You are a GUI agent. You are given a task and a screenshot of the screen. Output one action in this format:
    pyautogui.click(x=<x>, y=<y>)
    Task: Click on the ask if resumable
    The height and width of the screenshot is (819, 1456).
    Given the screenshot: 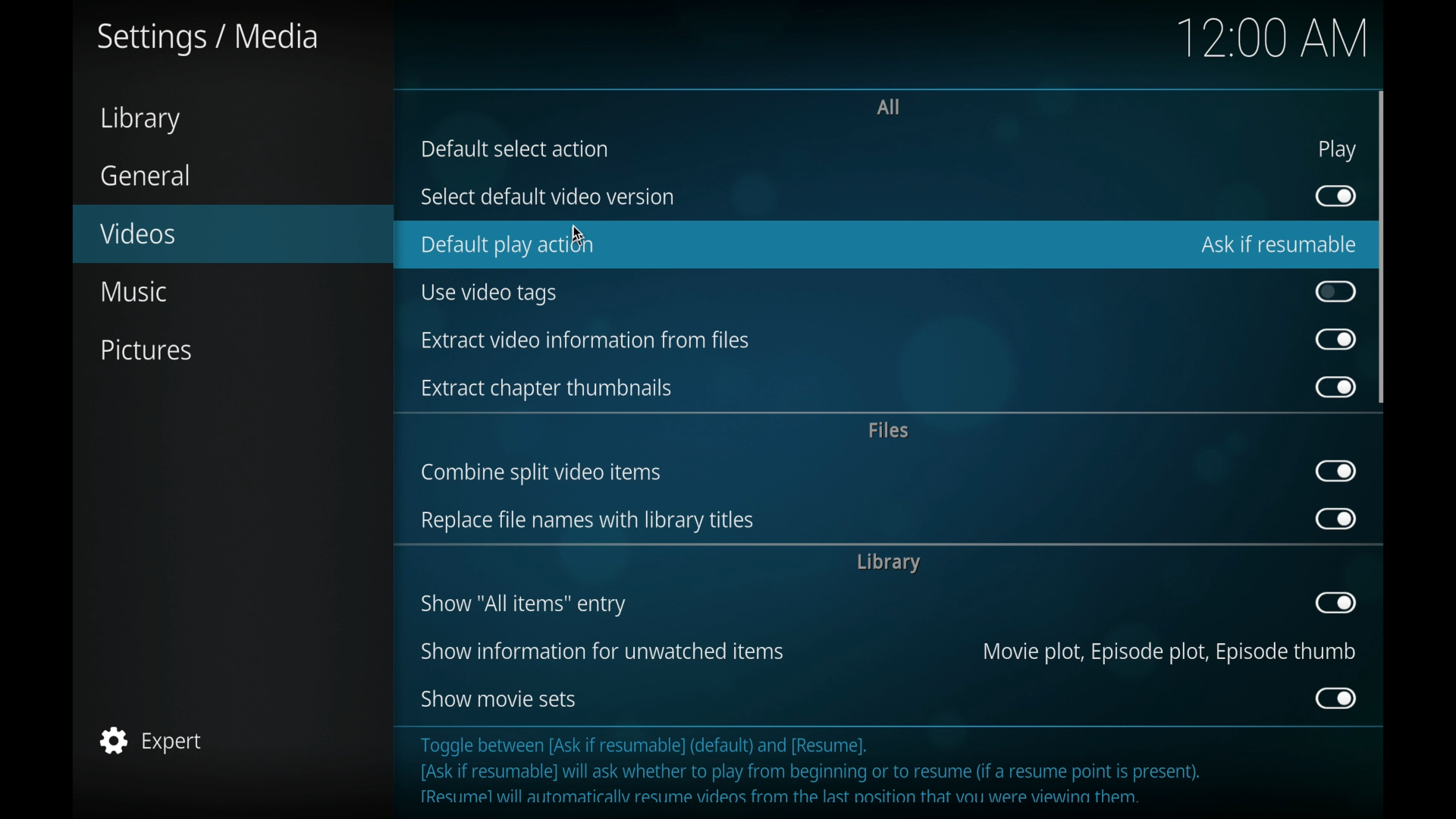 What is the action you would take?
    pyautogui.click(x=1279, y=245)
    